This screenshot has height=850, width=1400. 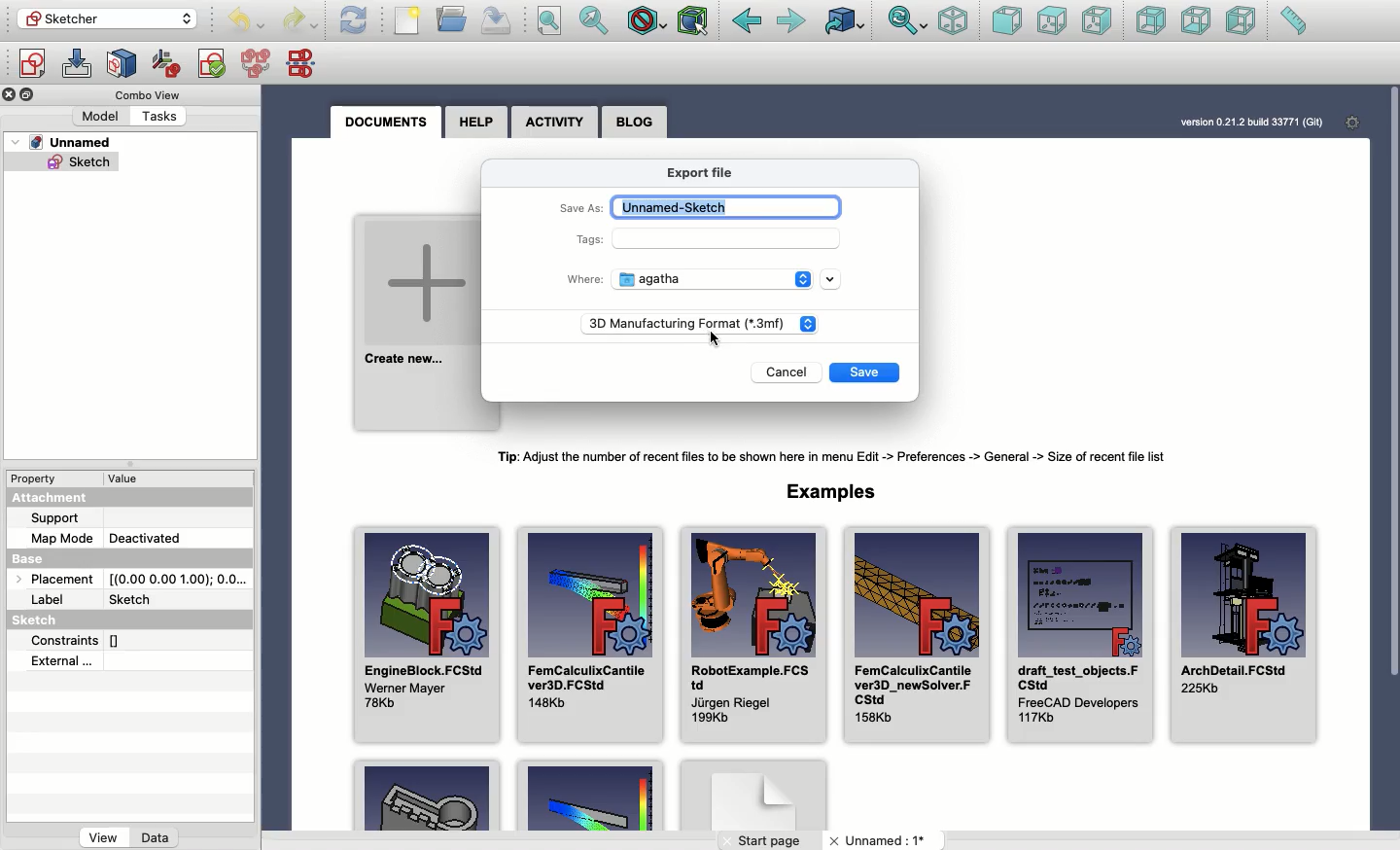 What do you see at coordinates (730, 238) in the screenshot?
I see `Input` at bounding box center [730, 238].